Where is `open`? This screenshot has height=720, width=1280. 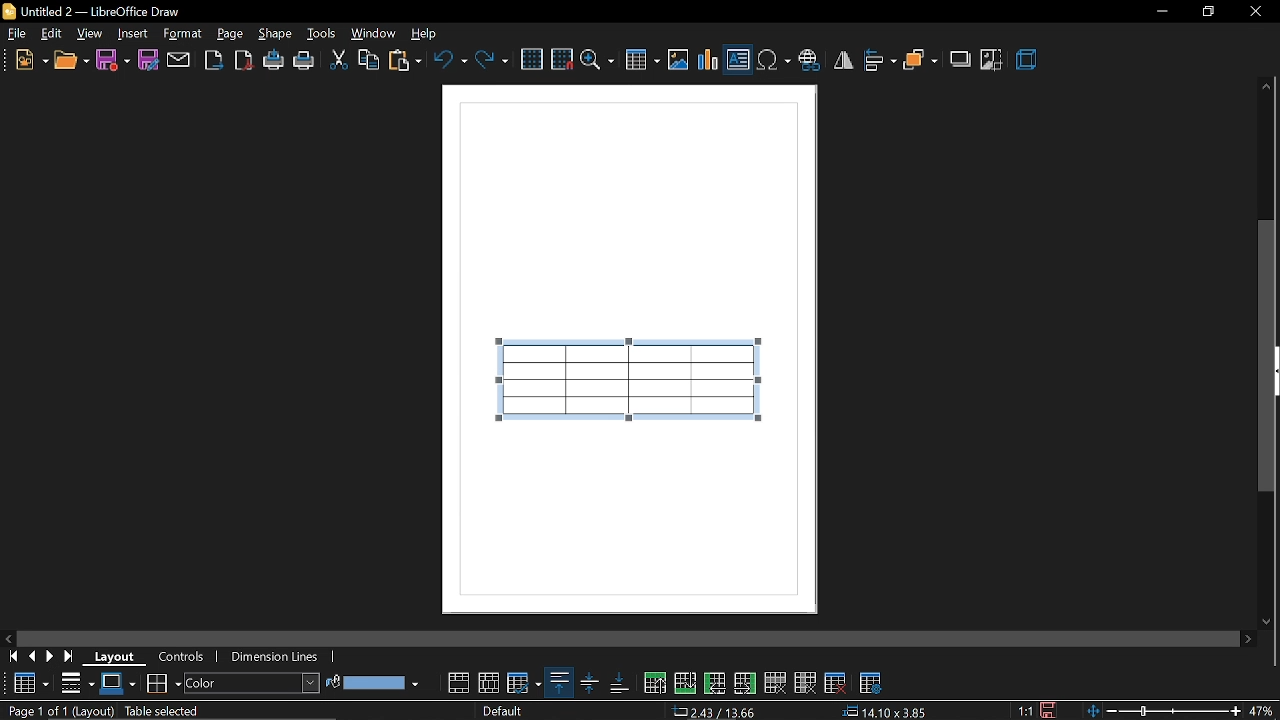
open is located at coordinates (71, 60).